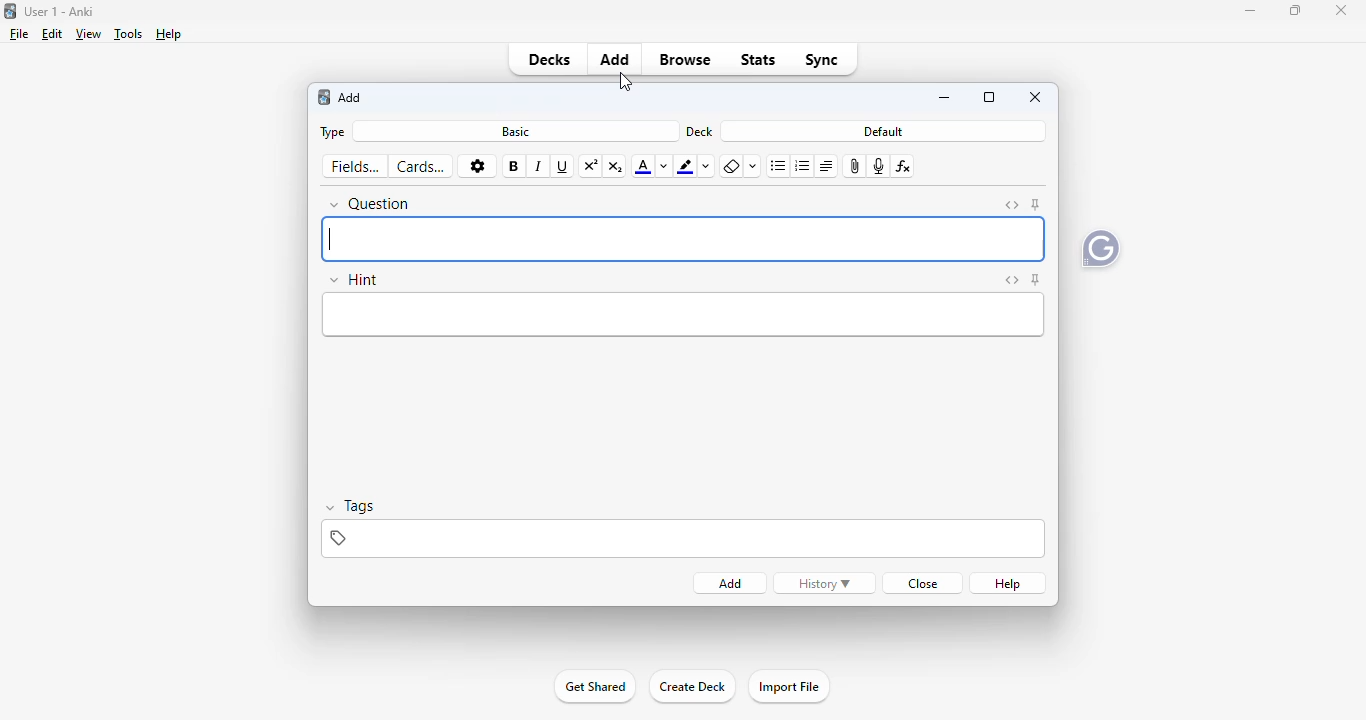  I want to click on tags, so click(683, 539).